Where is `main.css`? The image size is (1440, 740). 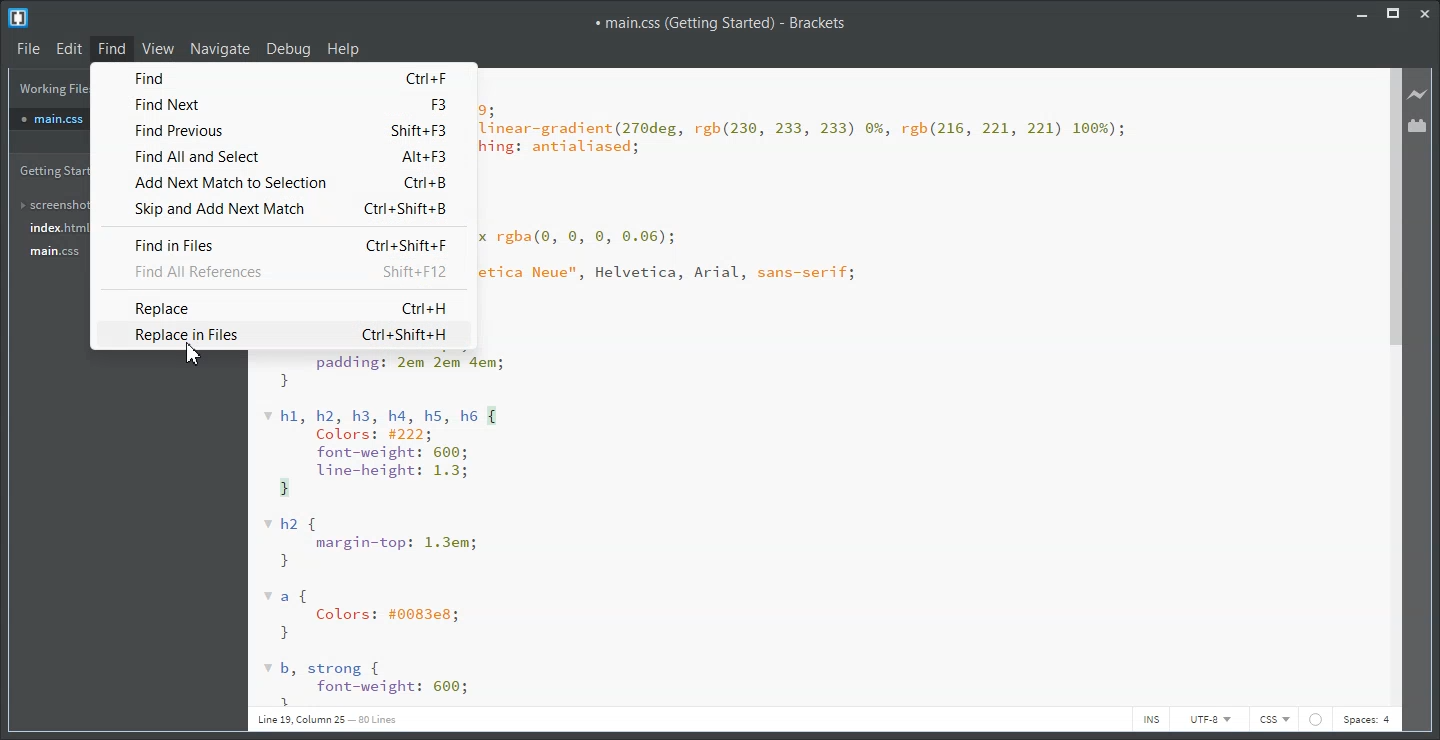
main.css is located at coordinates (49, 119).